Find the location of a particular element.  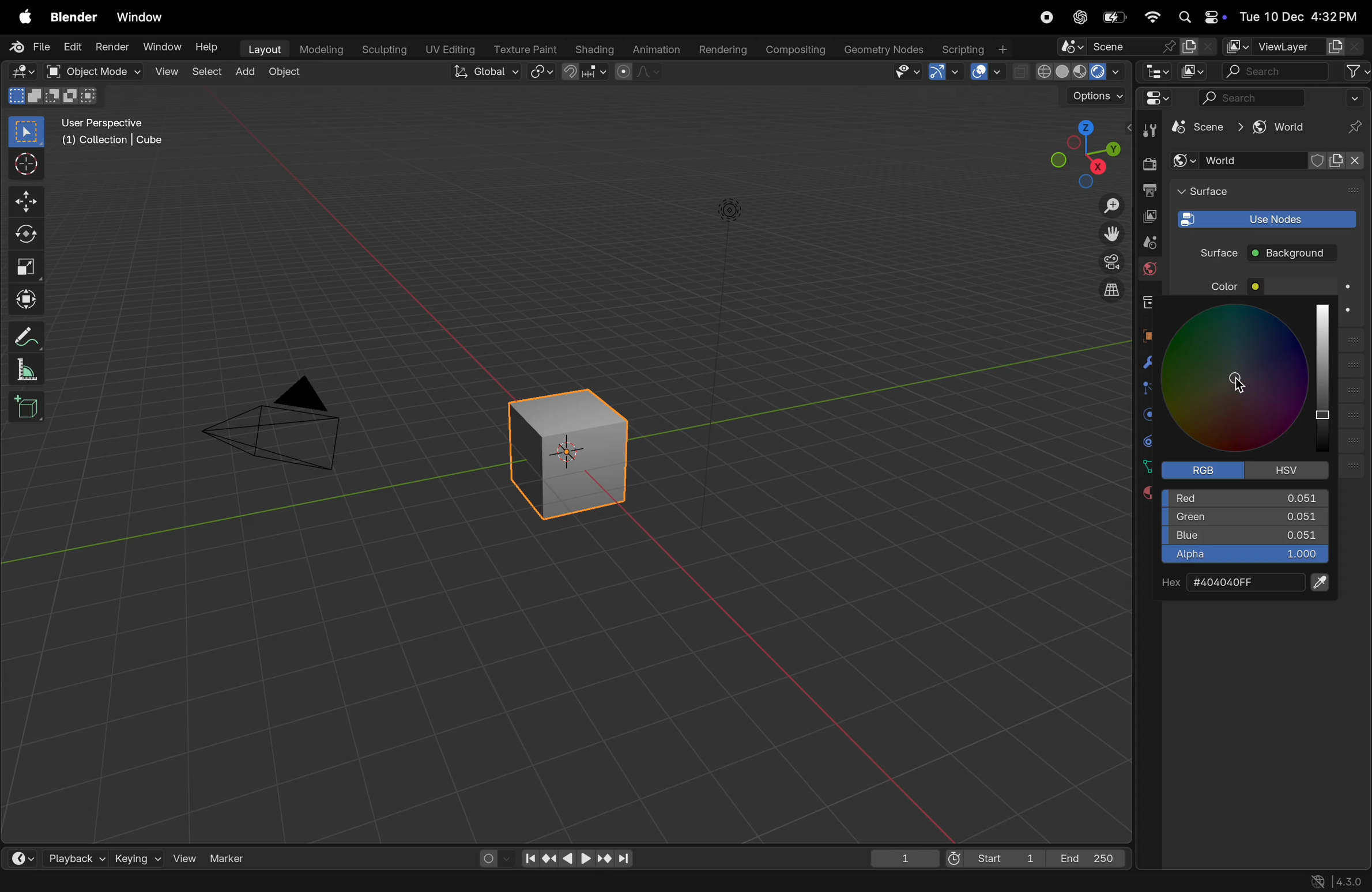

Rgb is located at coordinates (1207, 470).